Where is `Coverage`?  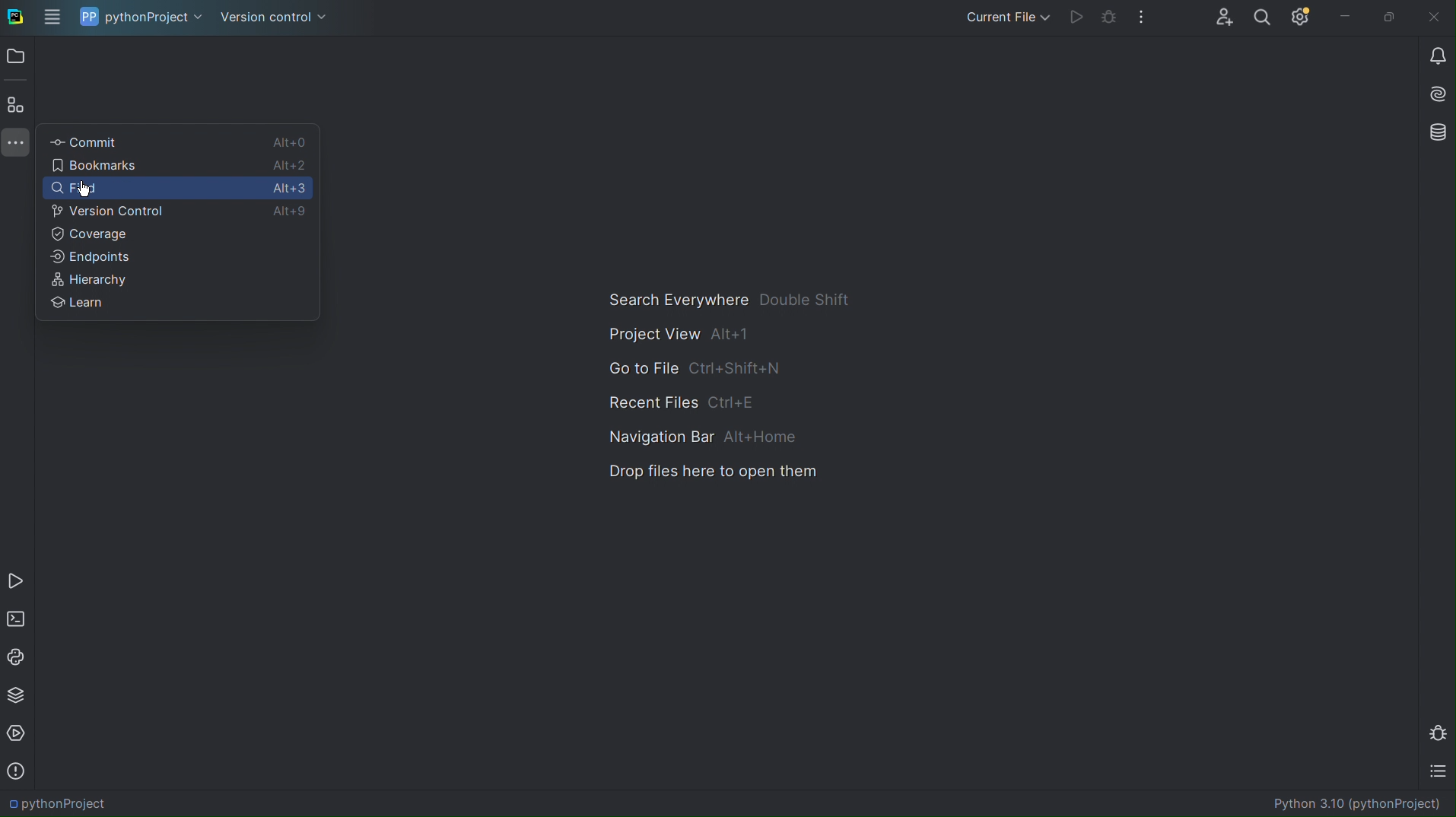
Coverage is located at coordinates (85, 234).